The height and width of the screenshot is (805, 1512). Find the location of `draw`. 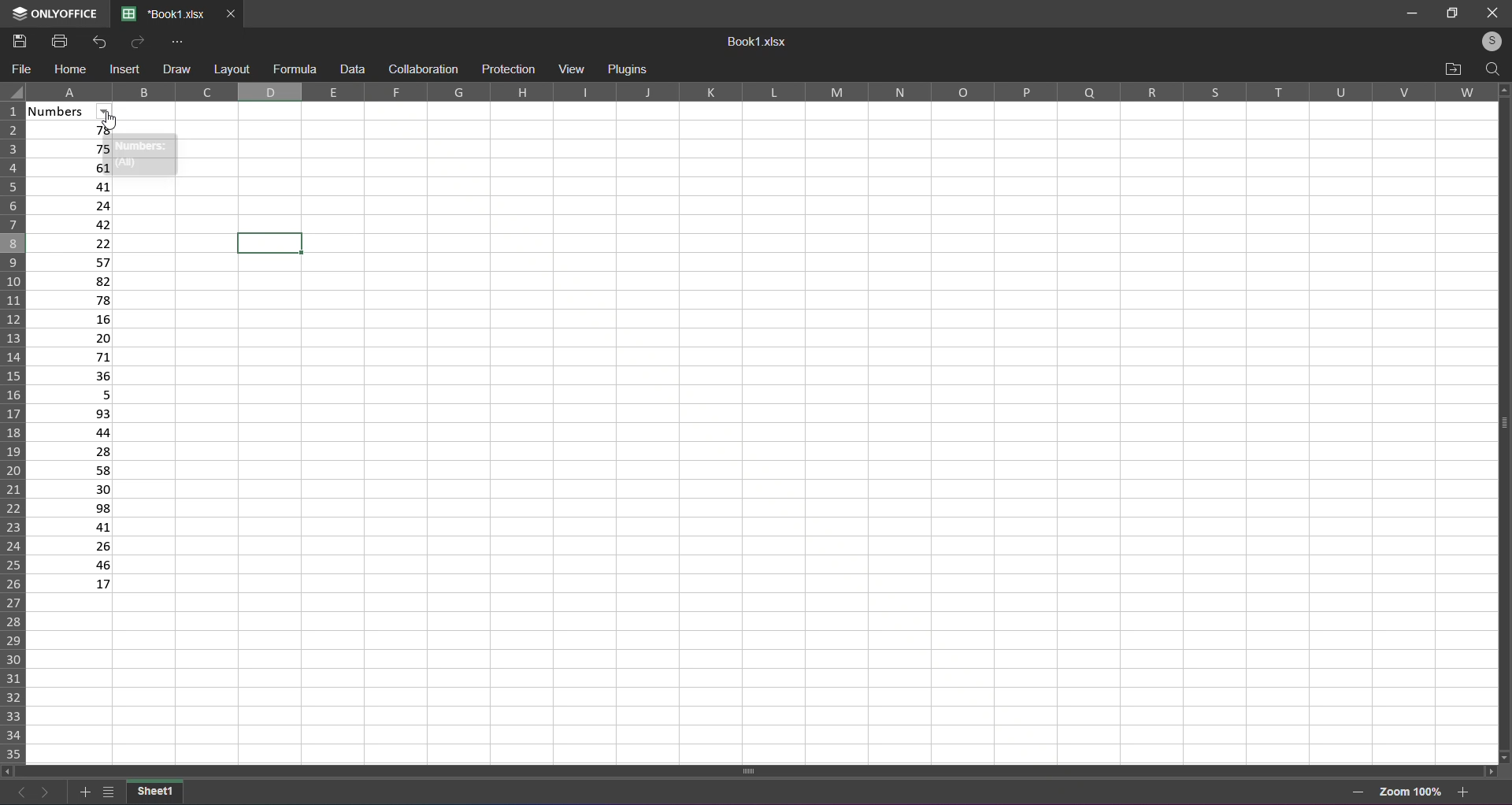

draw is located at coordinates (176, 68).